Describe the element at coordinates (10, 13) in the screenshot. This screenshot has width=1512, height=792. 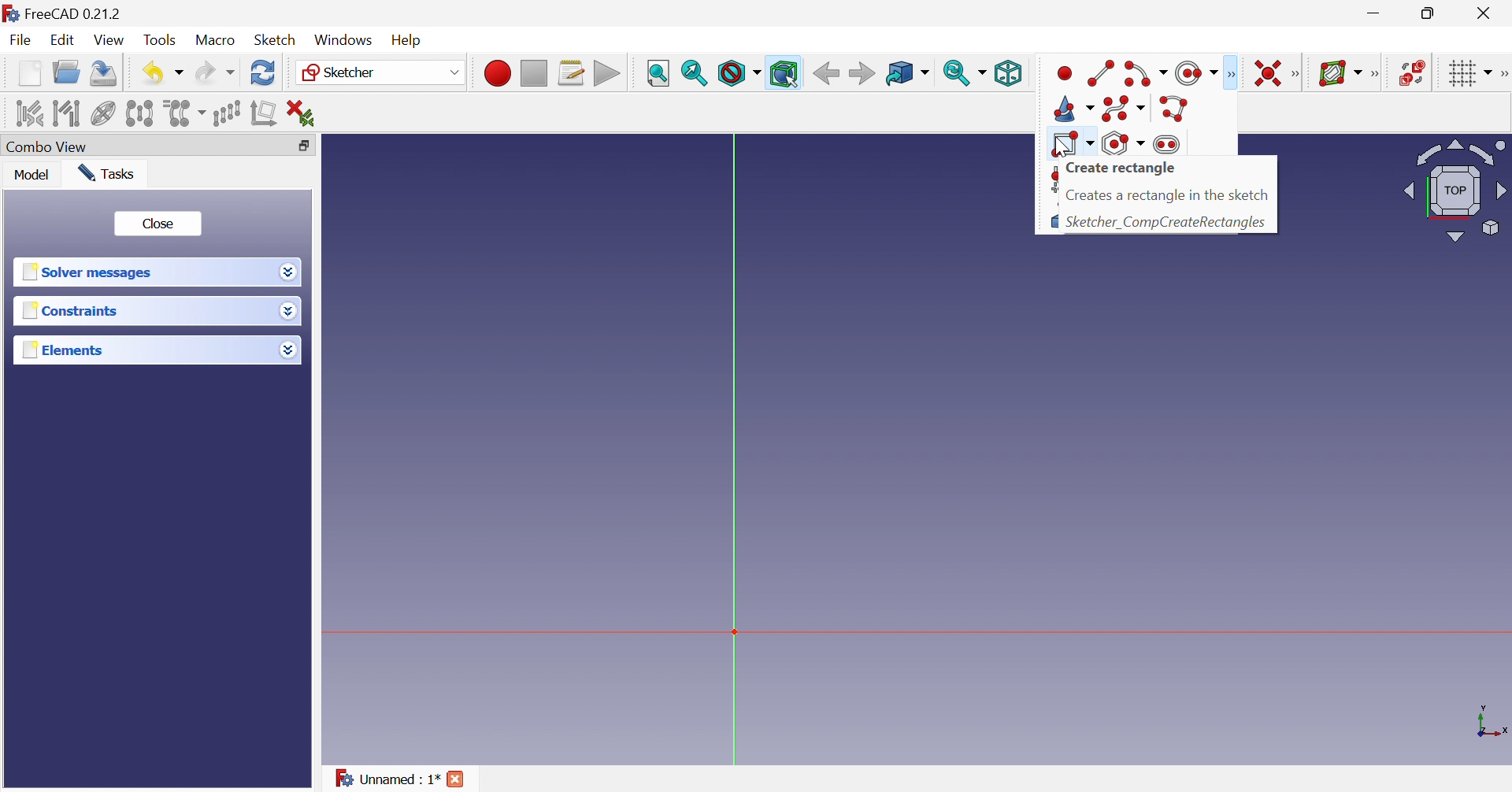
I see `logo` at that location.